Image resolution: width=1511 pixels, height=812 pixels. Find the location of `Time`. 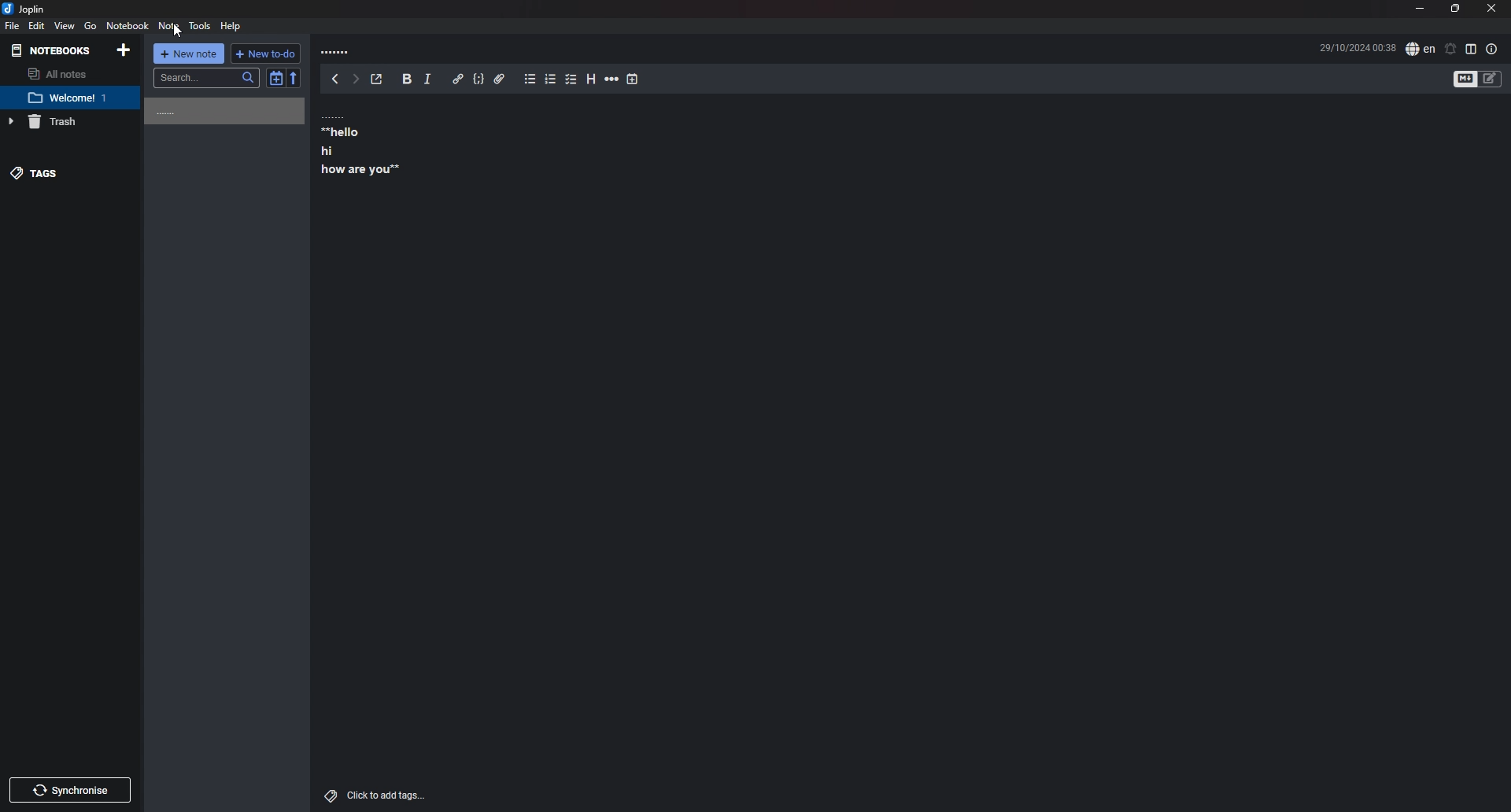

Time is located at coordinates (1356, 46).